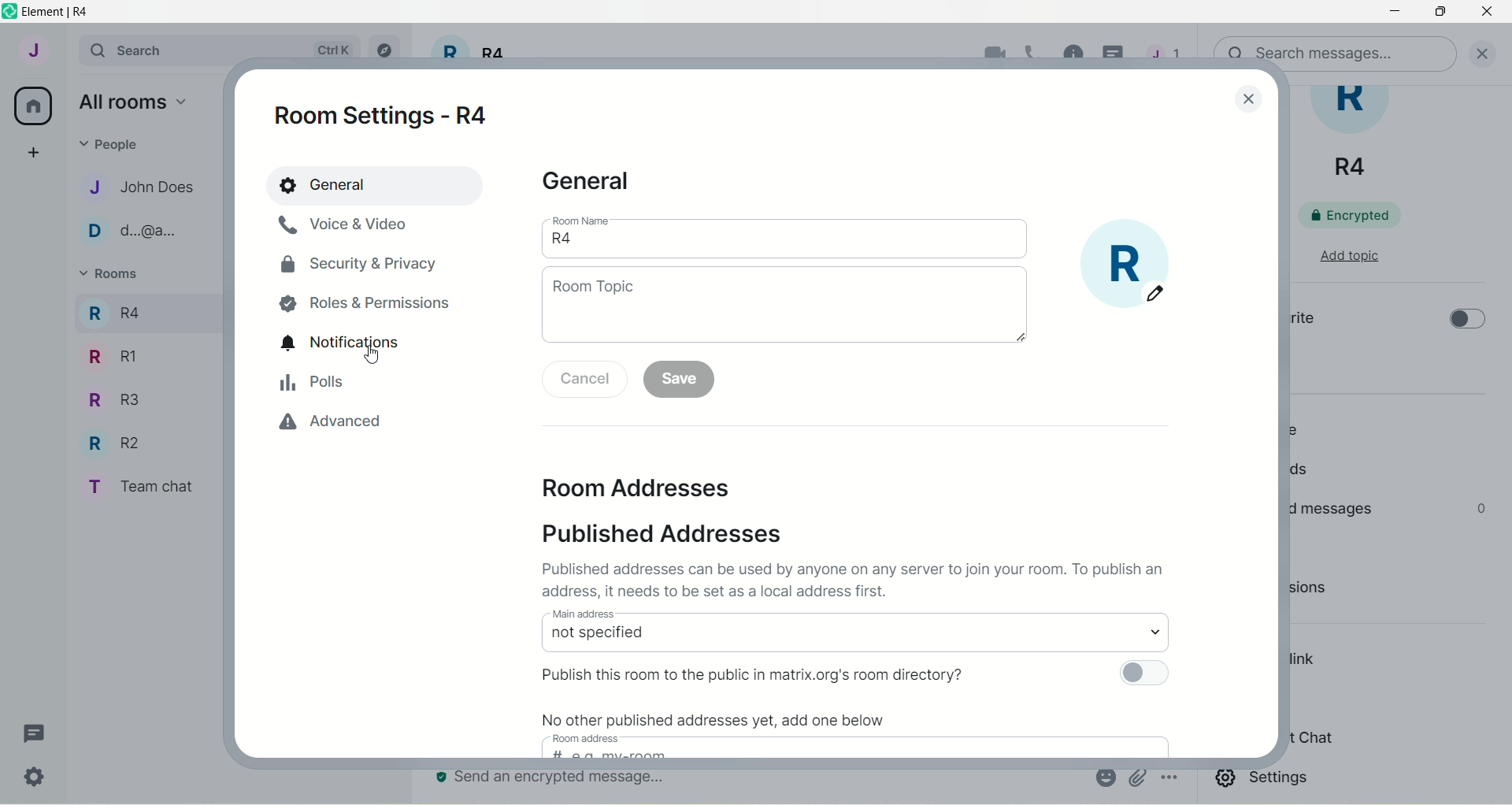  What do you see at coordinates (1301, 321) in the screenshot?
I see `favourite` at bounding box center [1301, 321].